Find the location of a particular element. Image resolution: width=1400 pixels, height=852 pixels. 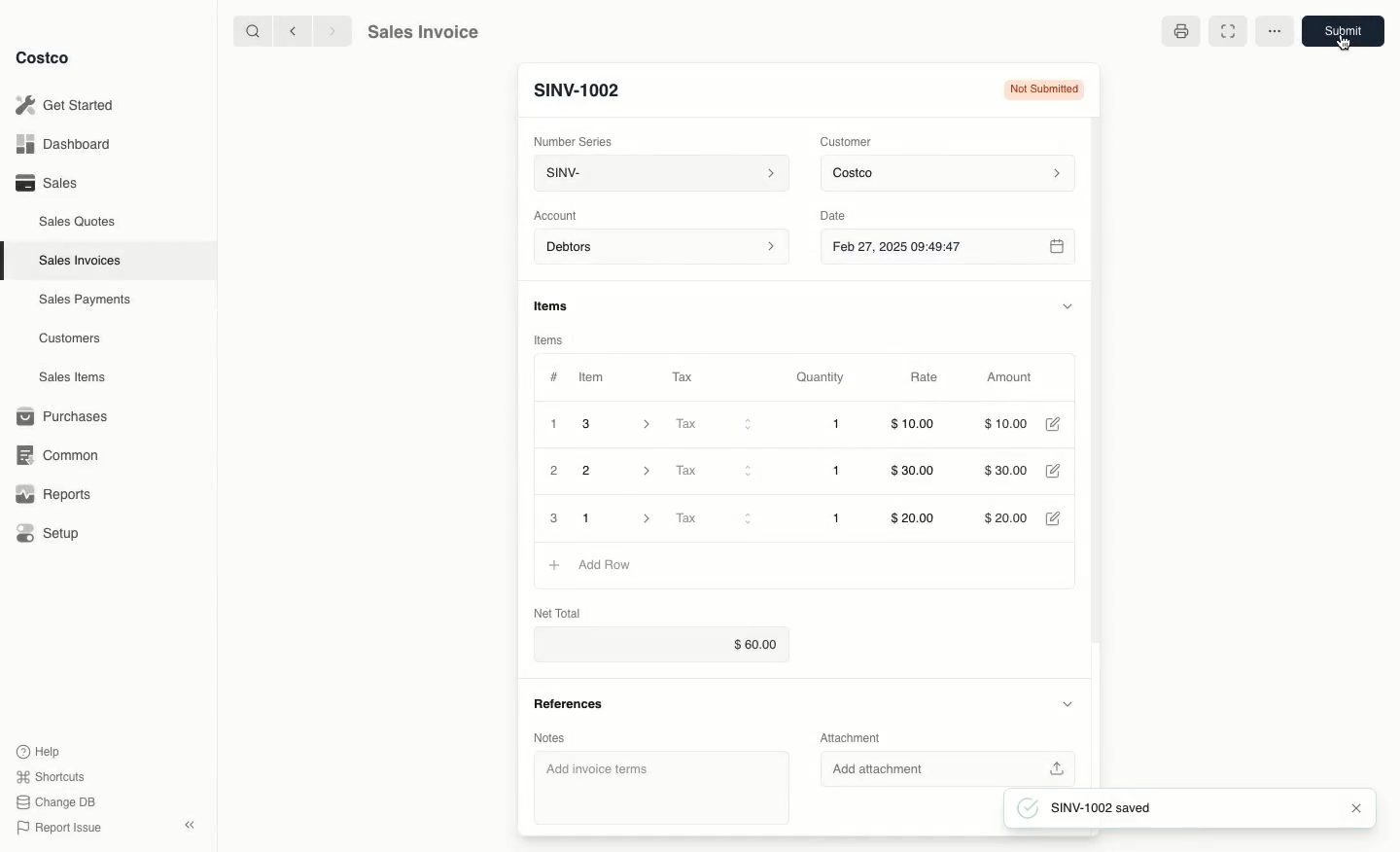

Tax is located at coordinates (714, 519).